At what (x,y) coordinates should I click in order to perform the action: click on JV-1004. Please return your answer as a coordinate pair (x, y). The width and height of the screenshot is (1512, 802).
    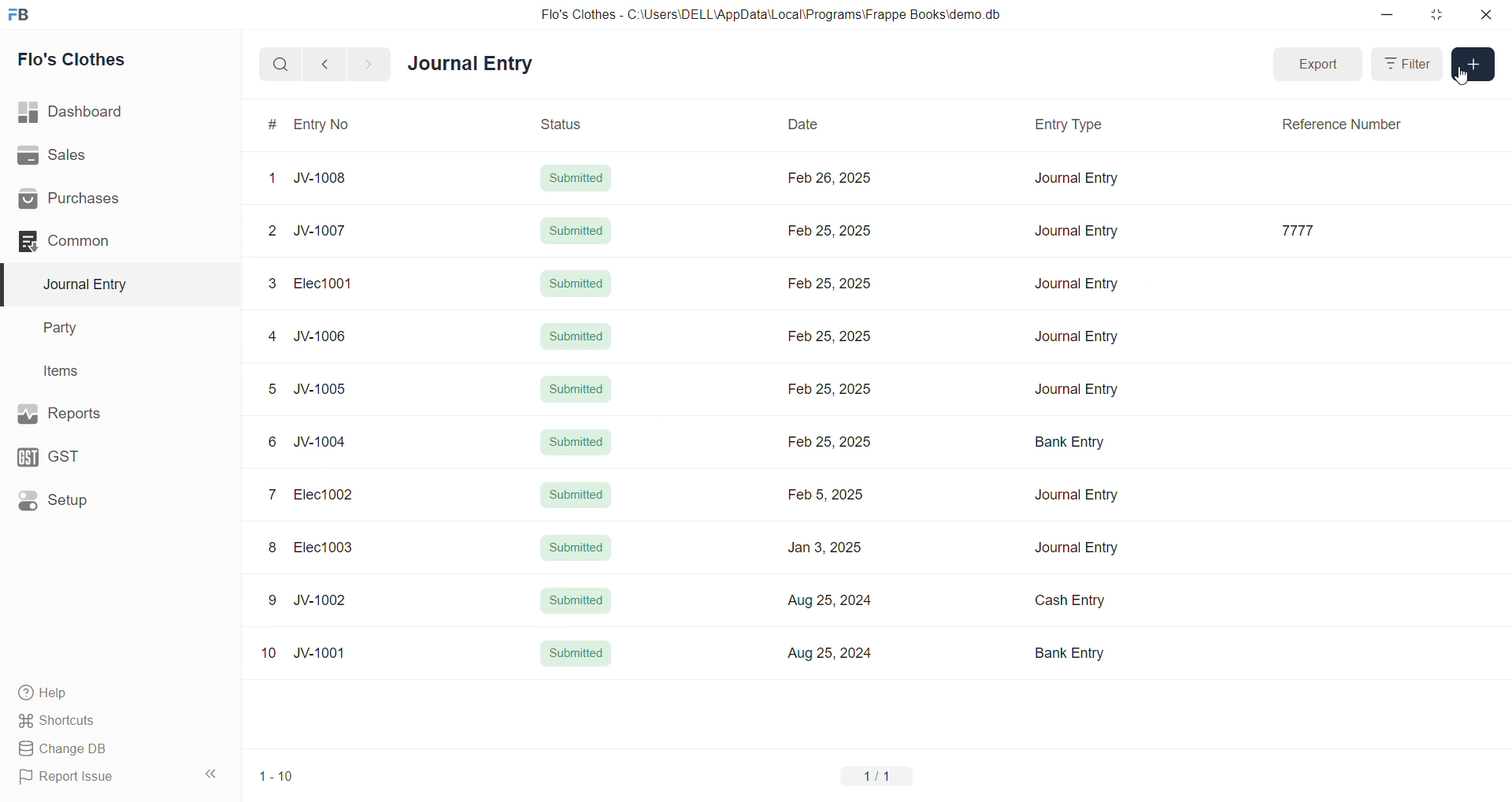
    Looking at the image, I should click on (322, 442).